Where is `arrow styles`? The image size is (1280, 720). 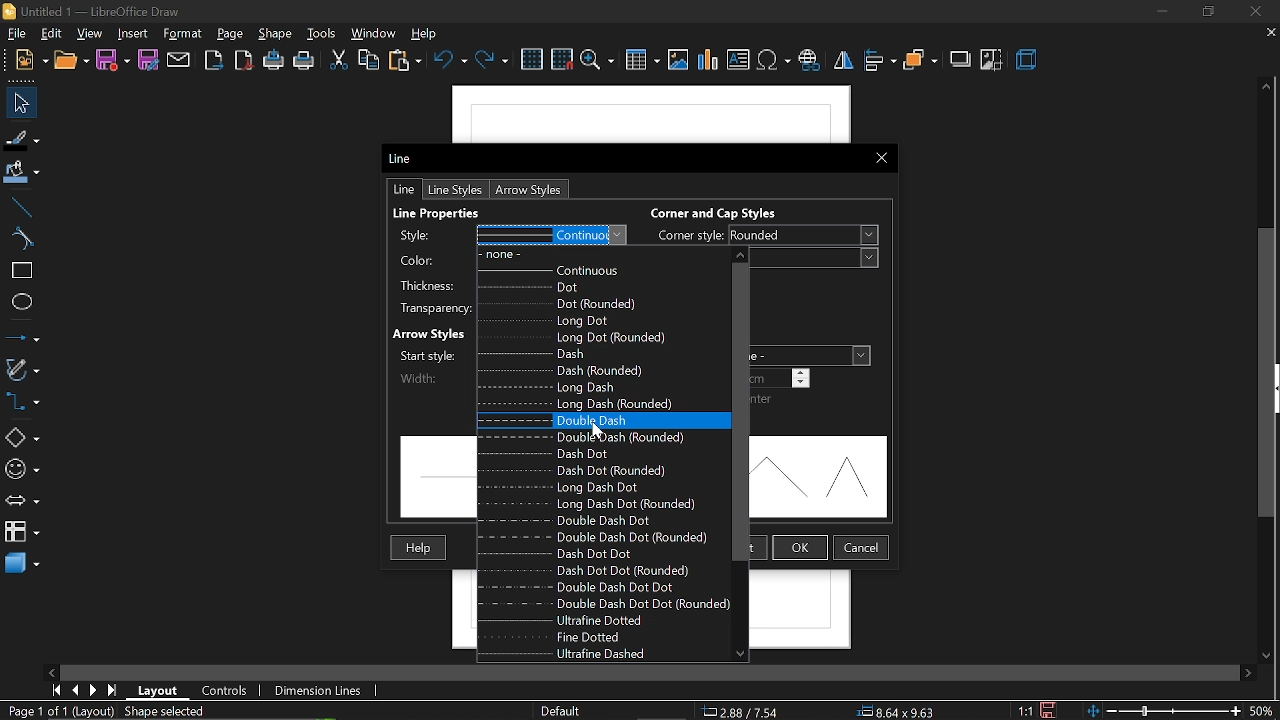 arrow styles is located at coordinates (527, 190).